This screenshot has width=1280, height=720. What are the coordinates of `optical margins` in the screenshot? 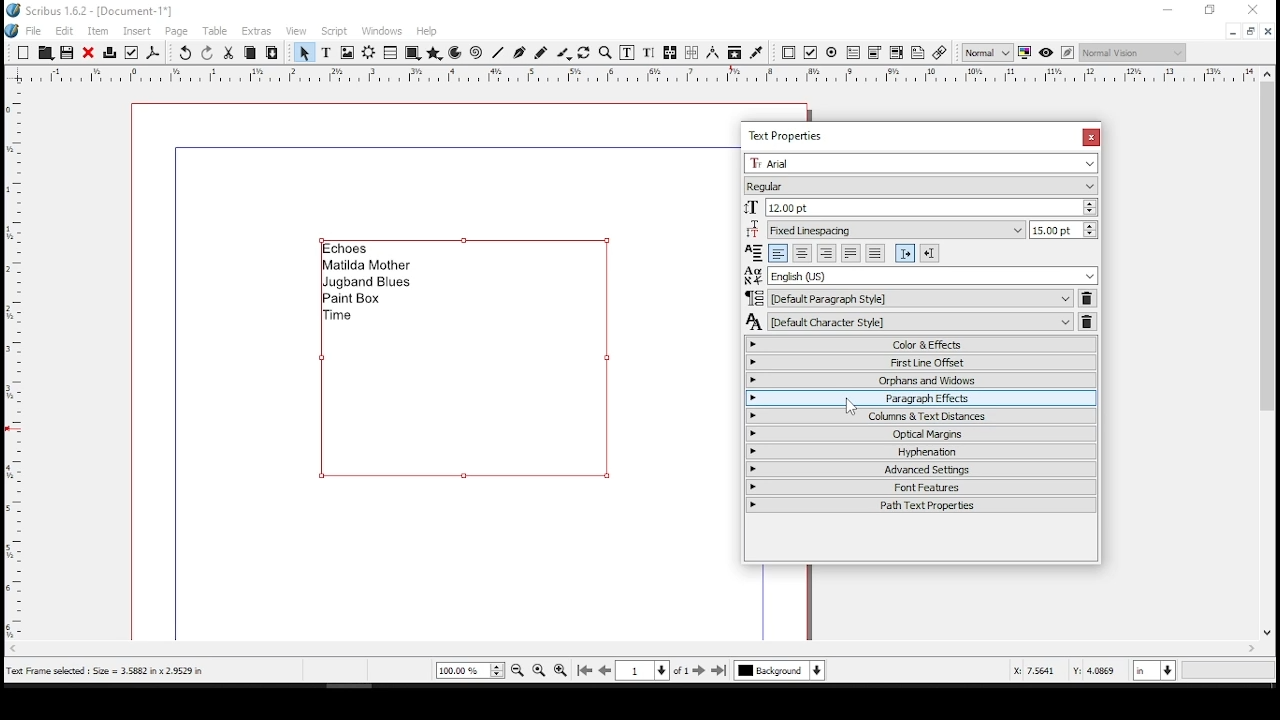 It's located at (921, 434).